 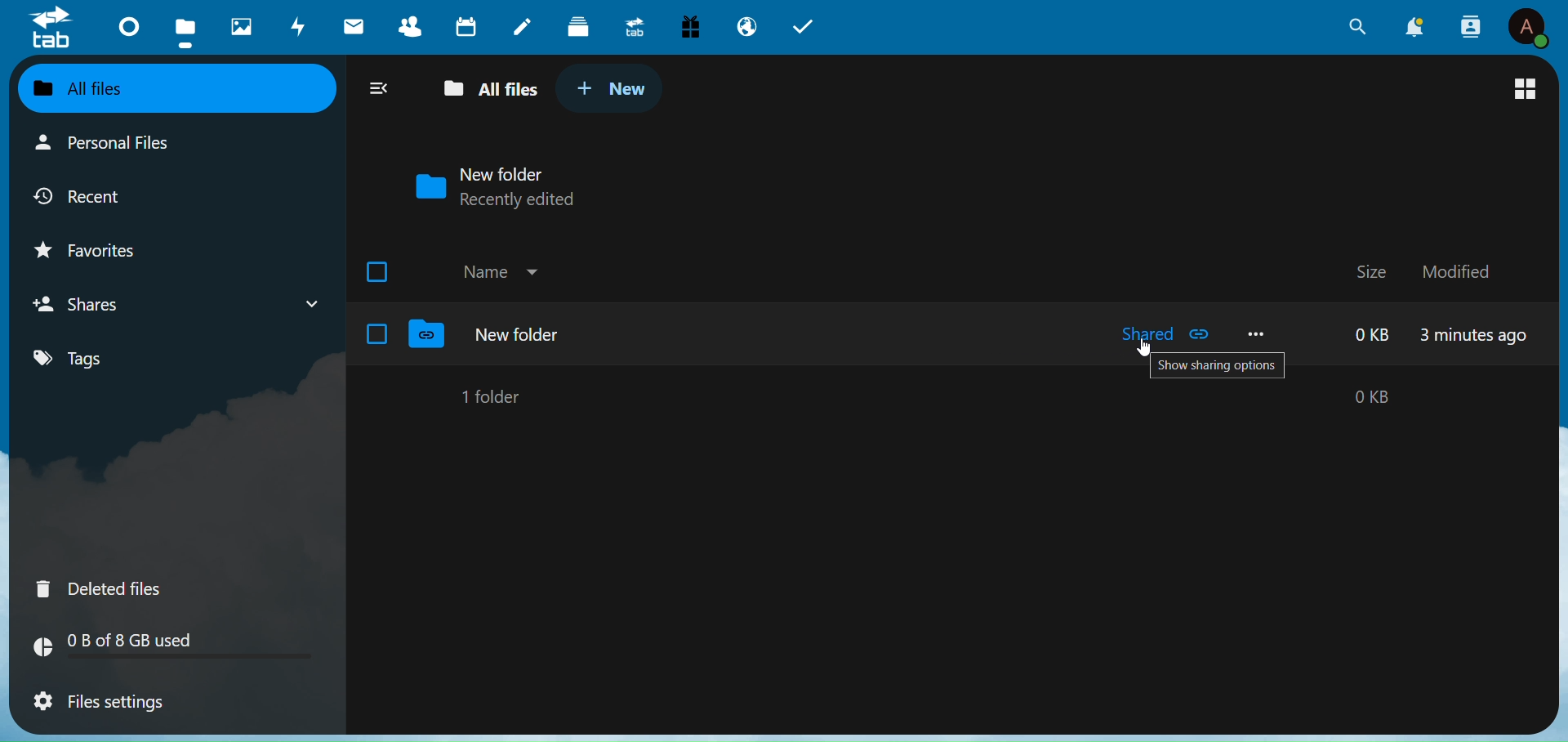 What do you see at coordinates (532, 200) in the screenshot?
I see `Recently Added` at bounding box center [532, 200].